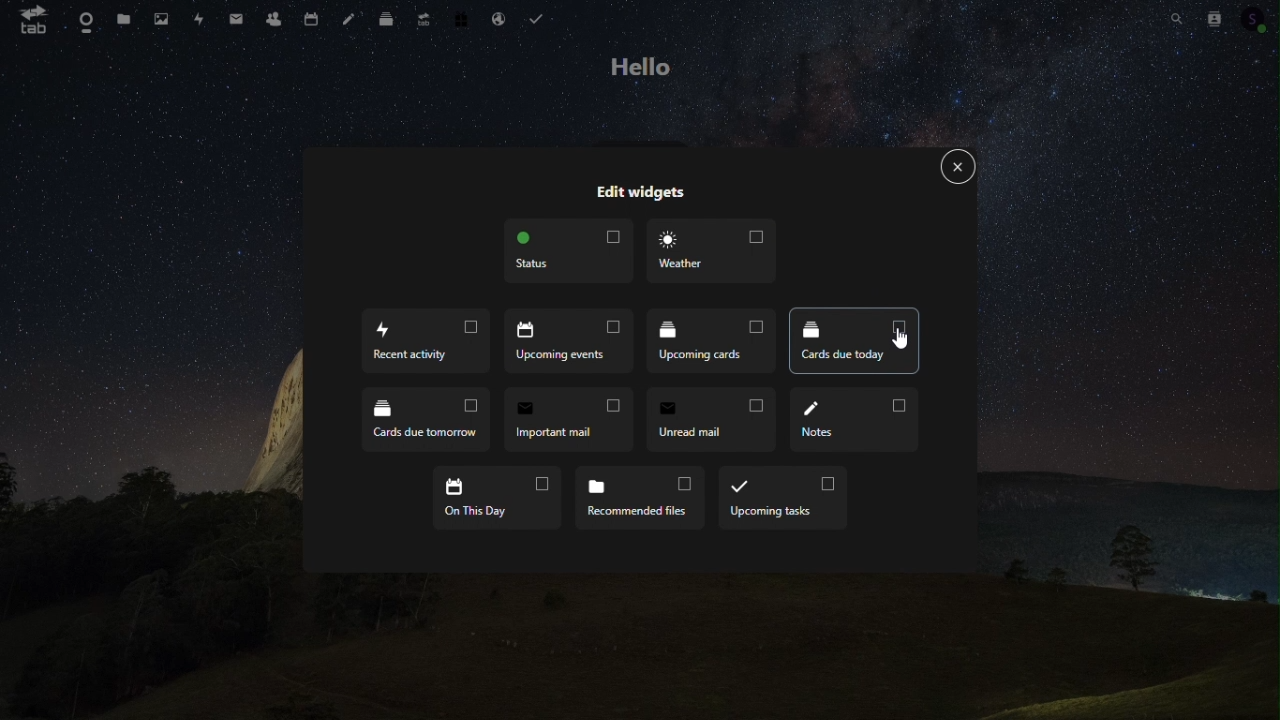  I want to click on Close, so click(956, 168).